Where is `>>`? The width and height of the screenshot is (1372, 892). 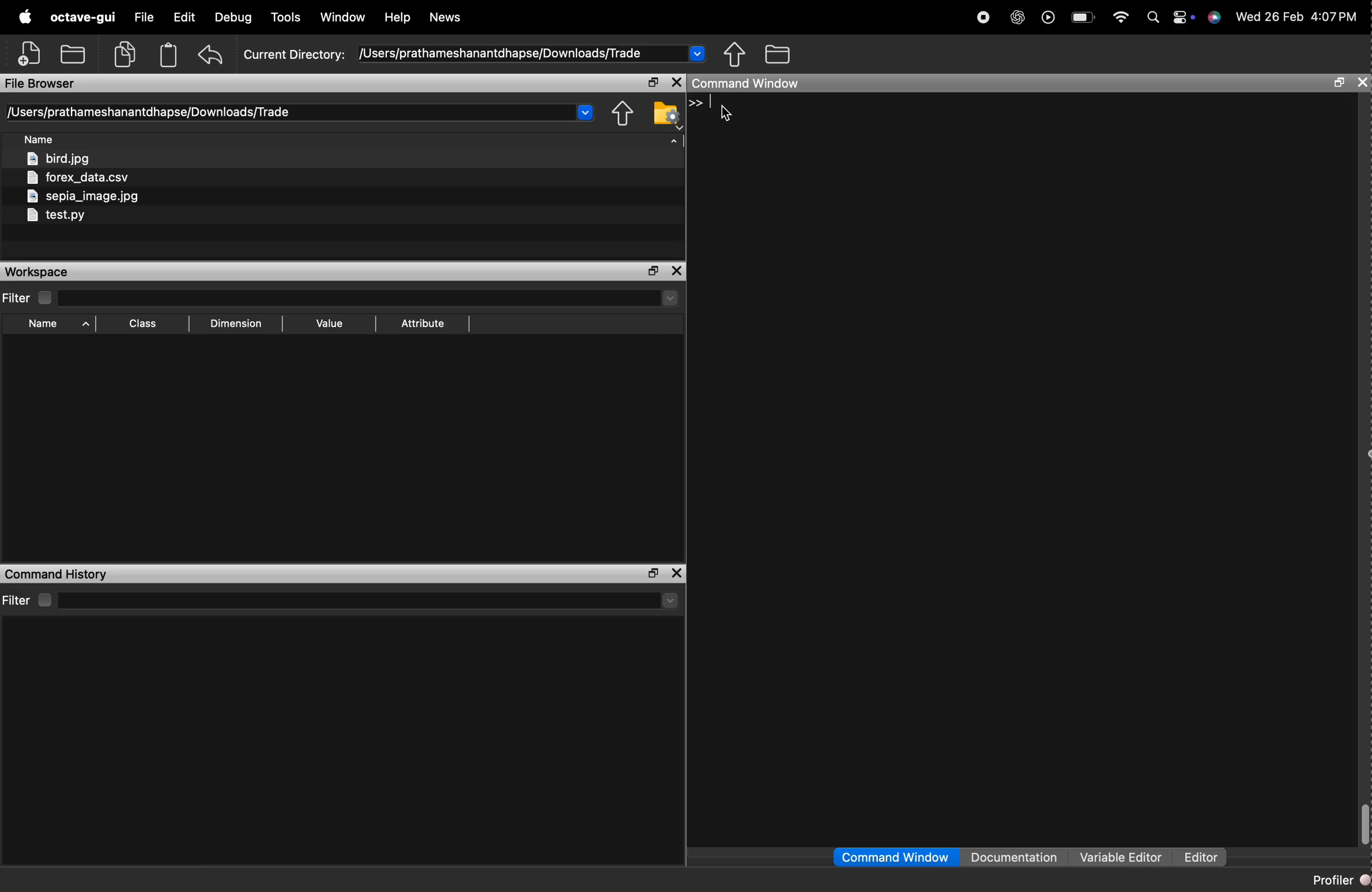 >> is located at coordinates (696, 103).